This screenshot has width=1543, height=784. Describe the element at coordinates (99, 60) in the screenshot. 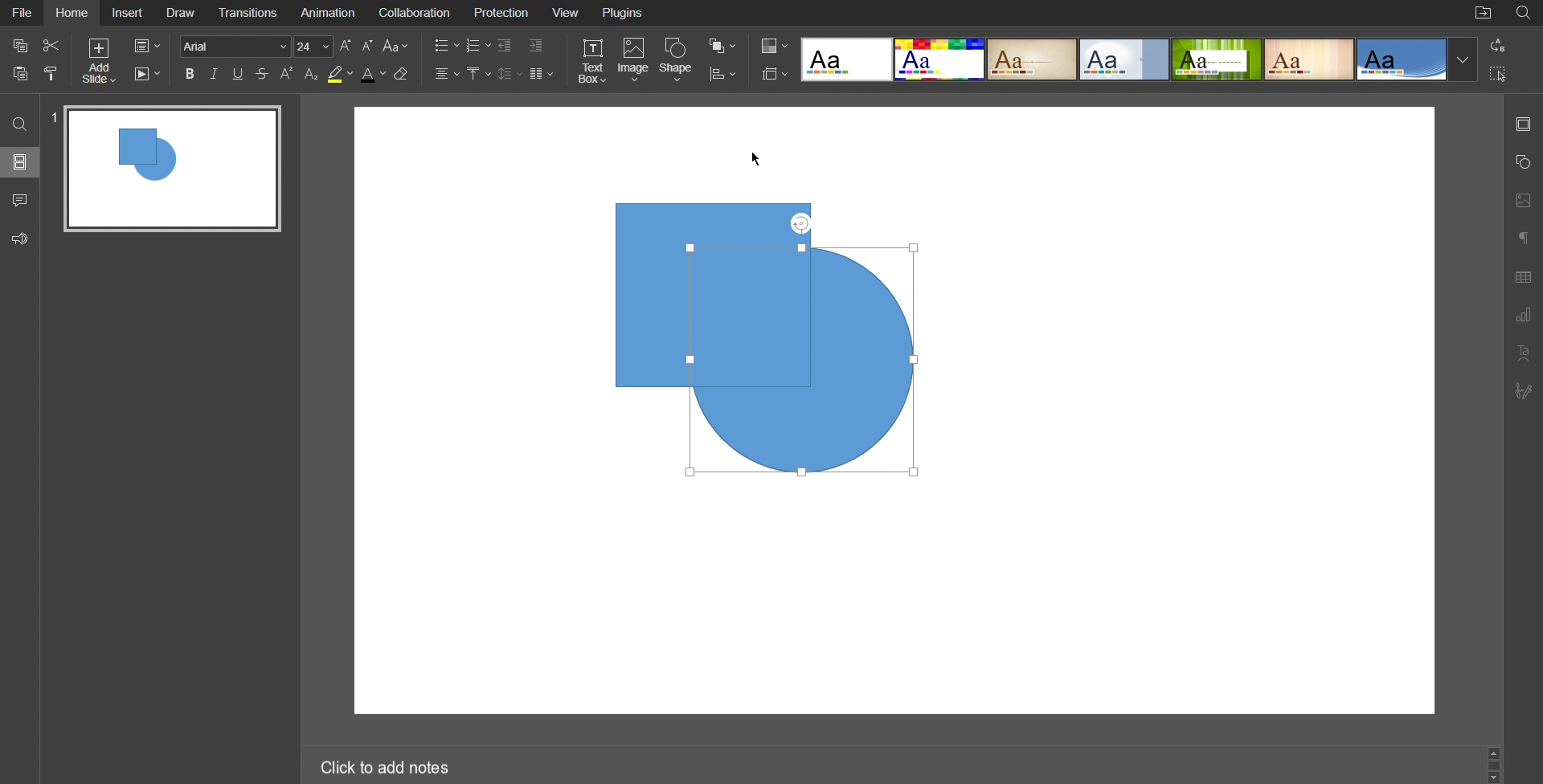

I see `Add Slide` at that location.